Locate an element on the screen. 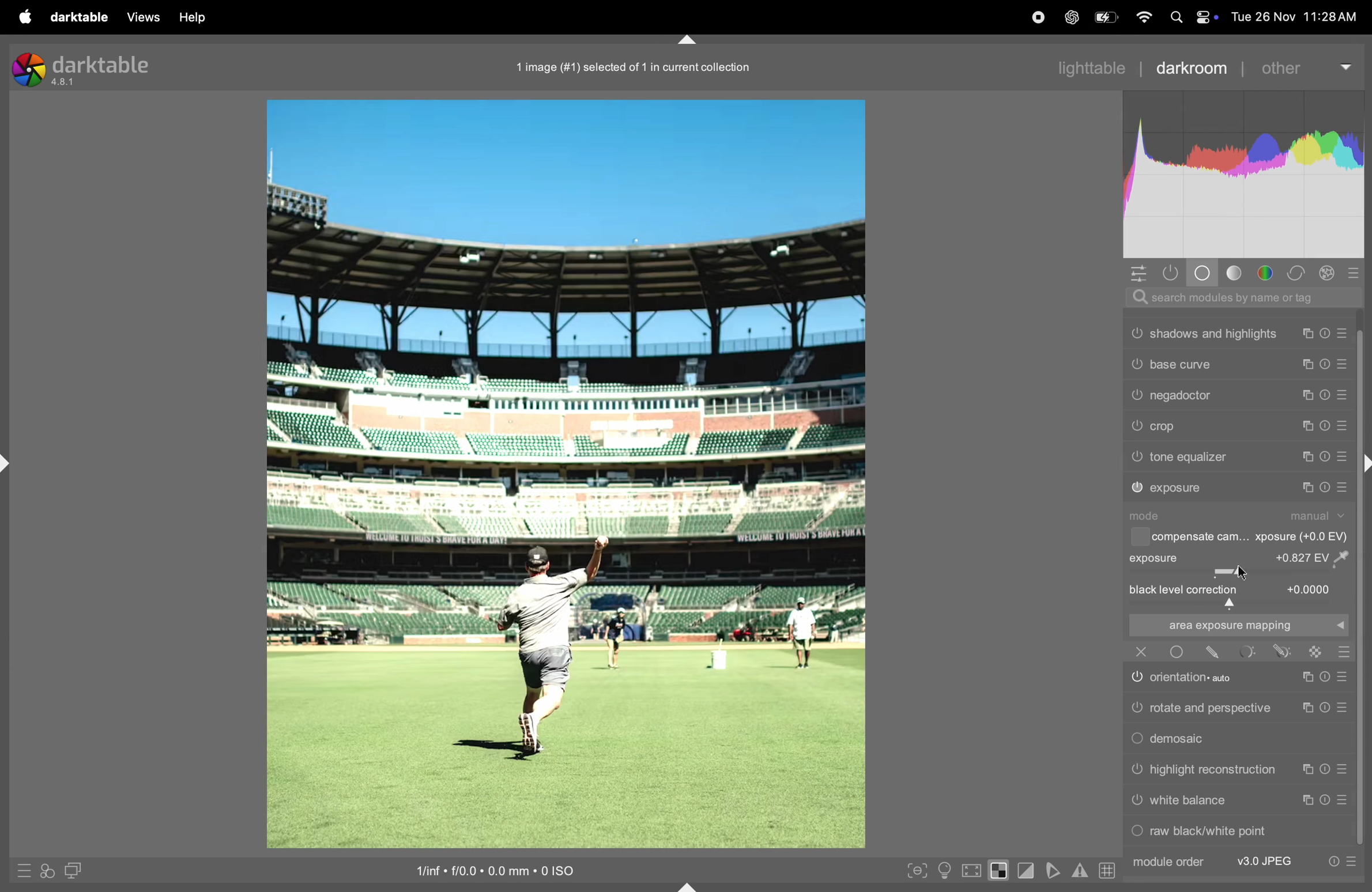 This screenshot has width=1372, height=892. Switch on or off is located at coordinates (1136, 833).